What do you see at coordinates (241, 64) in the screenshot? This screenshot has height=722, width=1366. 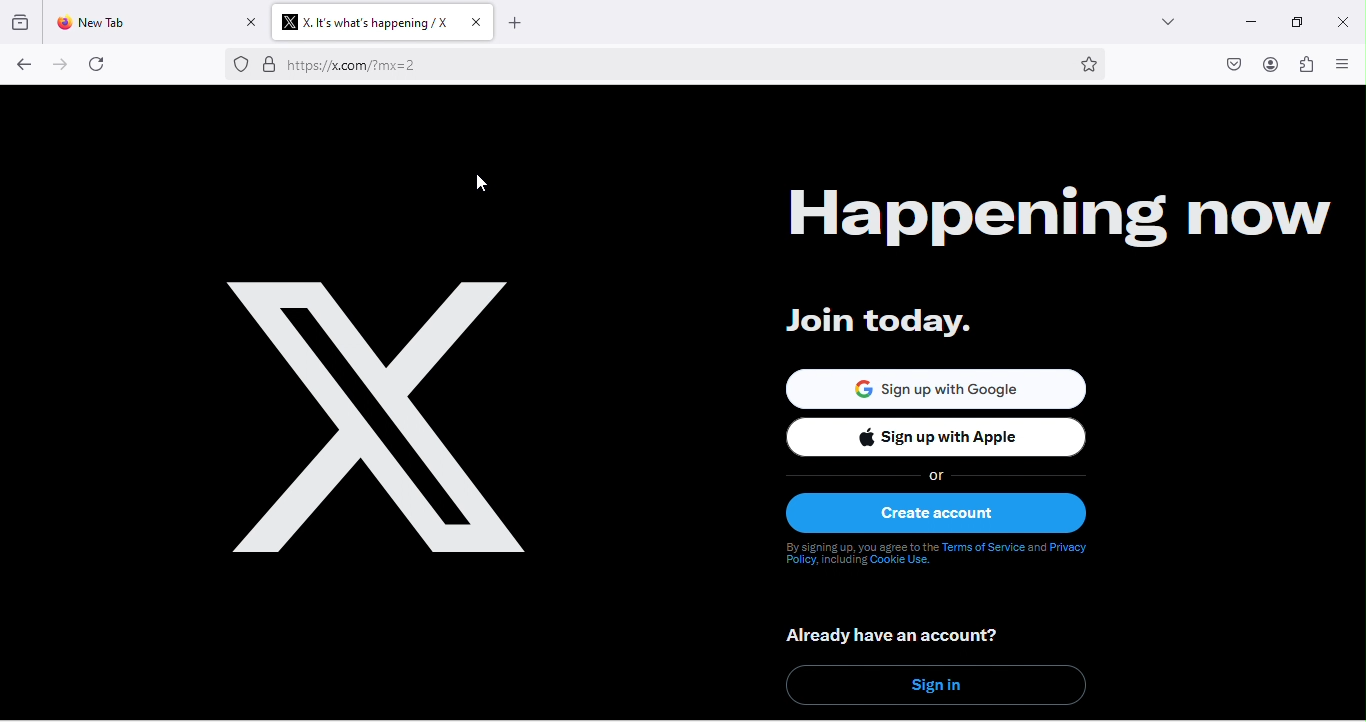 I see `proxy` at bounding box center [241, 64].